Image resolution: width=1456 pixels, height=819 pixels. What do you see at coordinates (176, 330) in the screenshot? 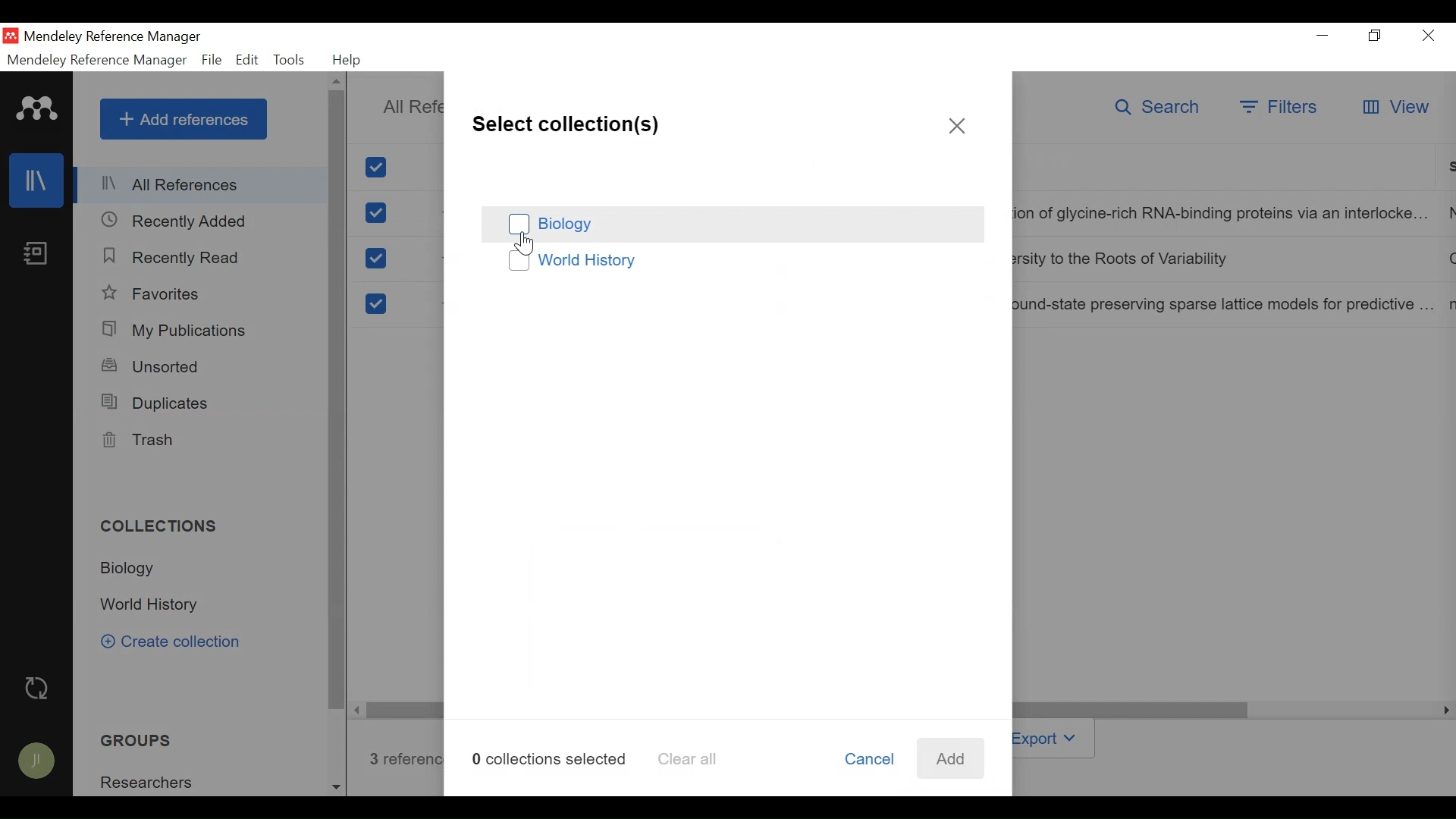
I see `My Publications` at bounding box center [176, 330].